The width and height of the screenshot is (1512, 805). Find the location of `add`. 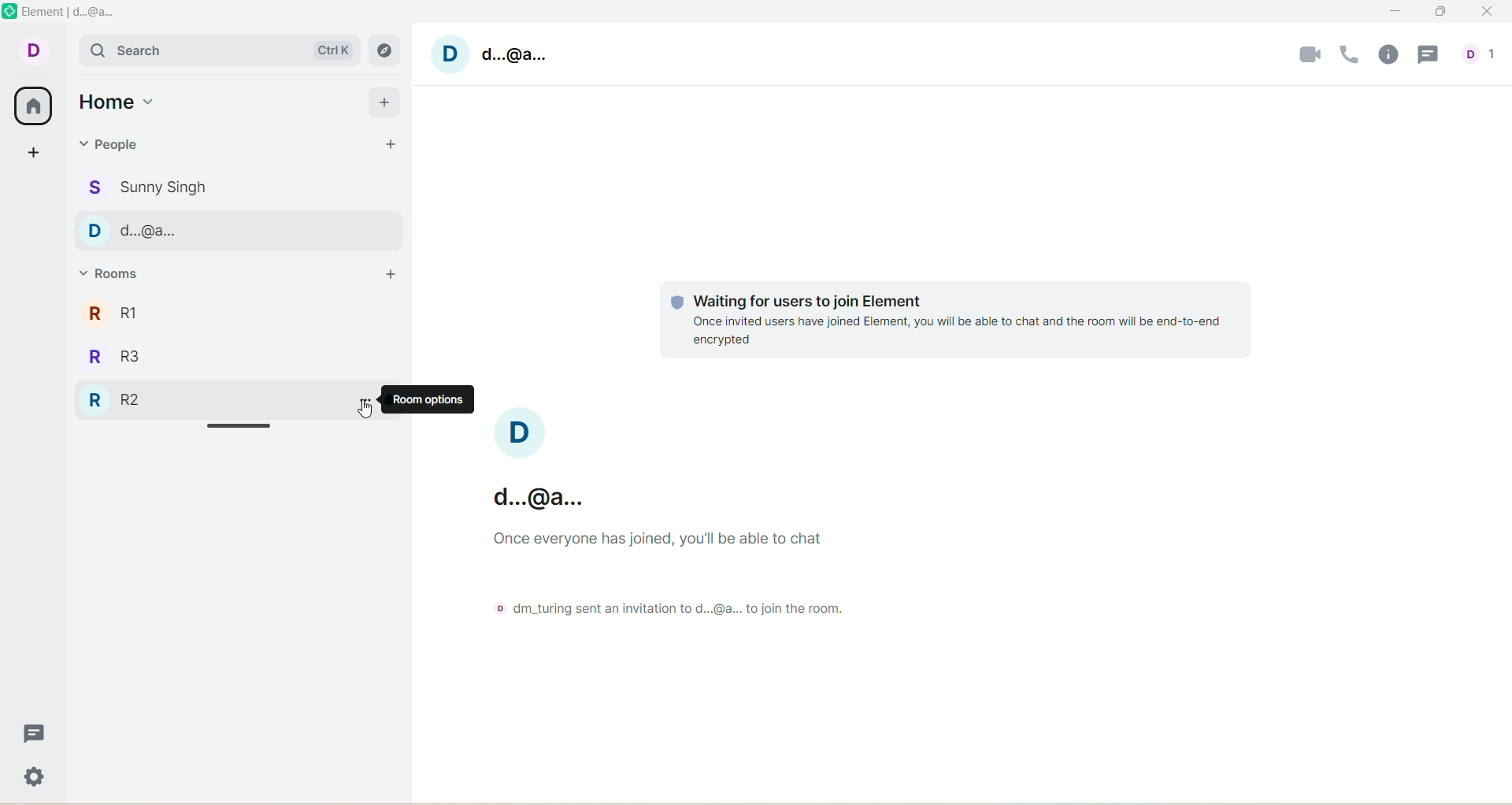

add is located at coordinates (386, 102).